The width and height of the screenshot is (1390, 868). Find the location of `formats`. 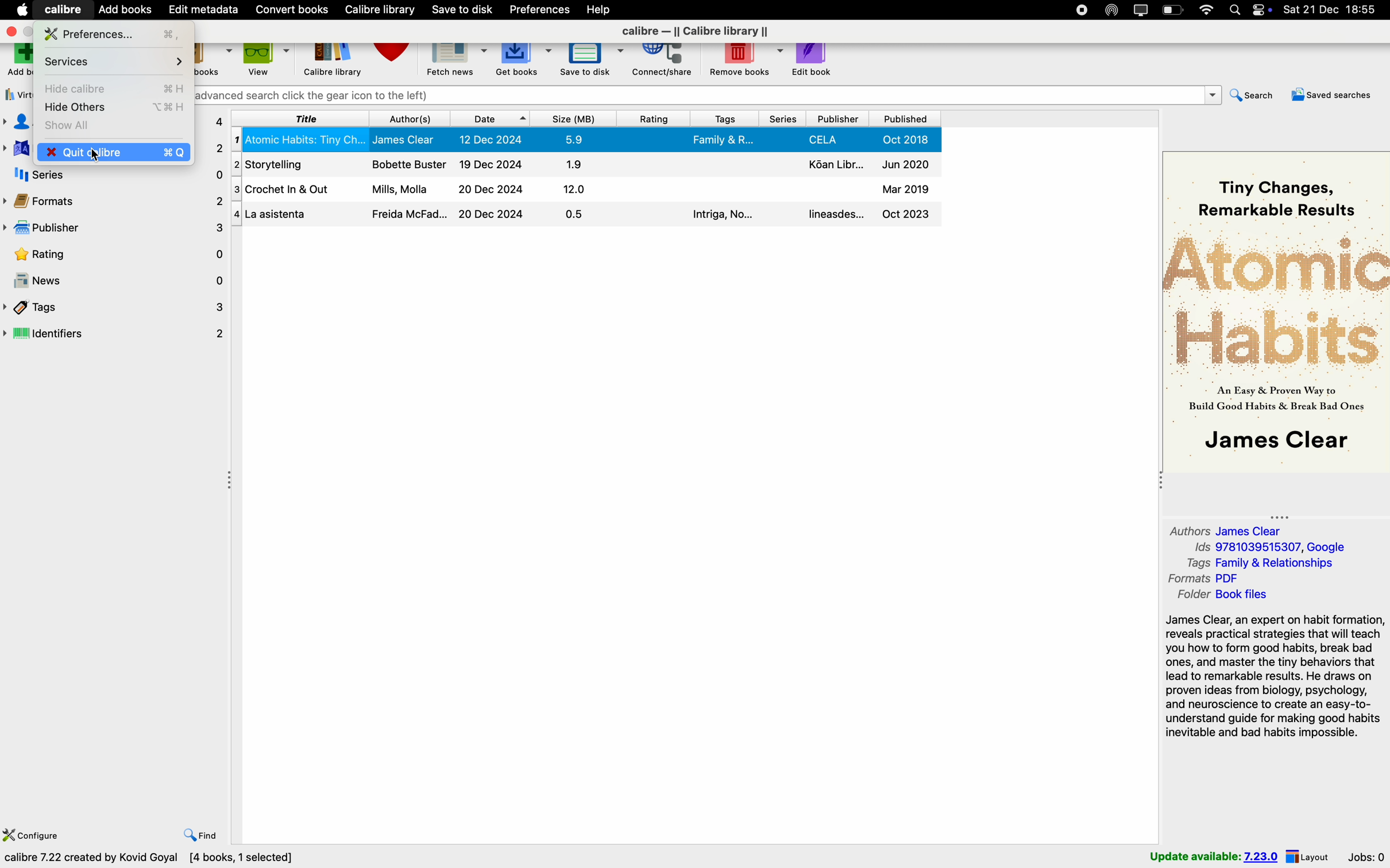

formats is located at coordinates (115, 201).